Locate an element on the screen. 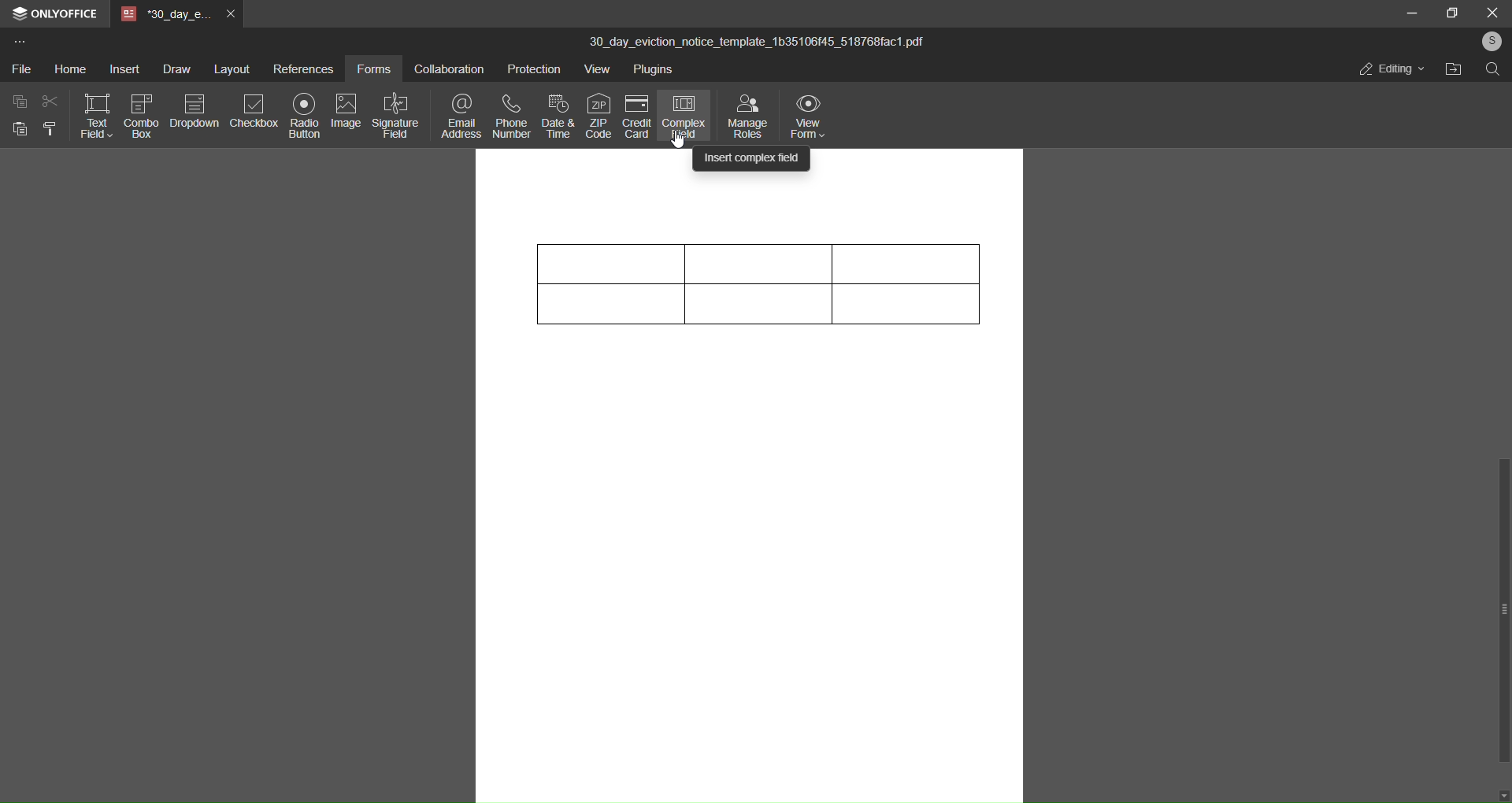 Image resolution: width=1512 pixels, height=803 pixels. draw is located at coordinates (174, 68).